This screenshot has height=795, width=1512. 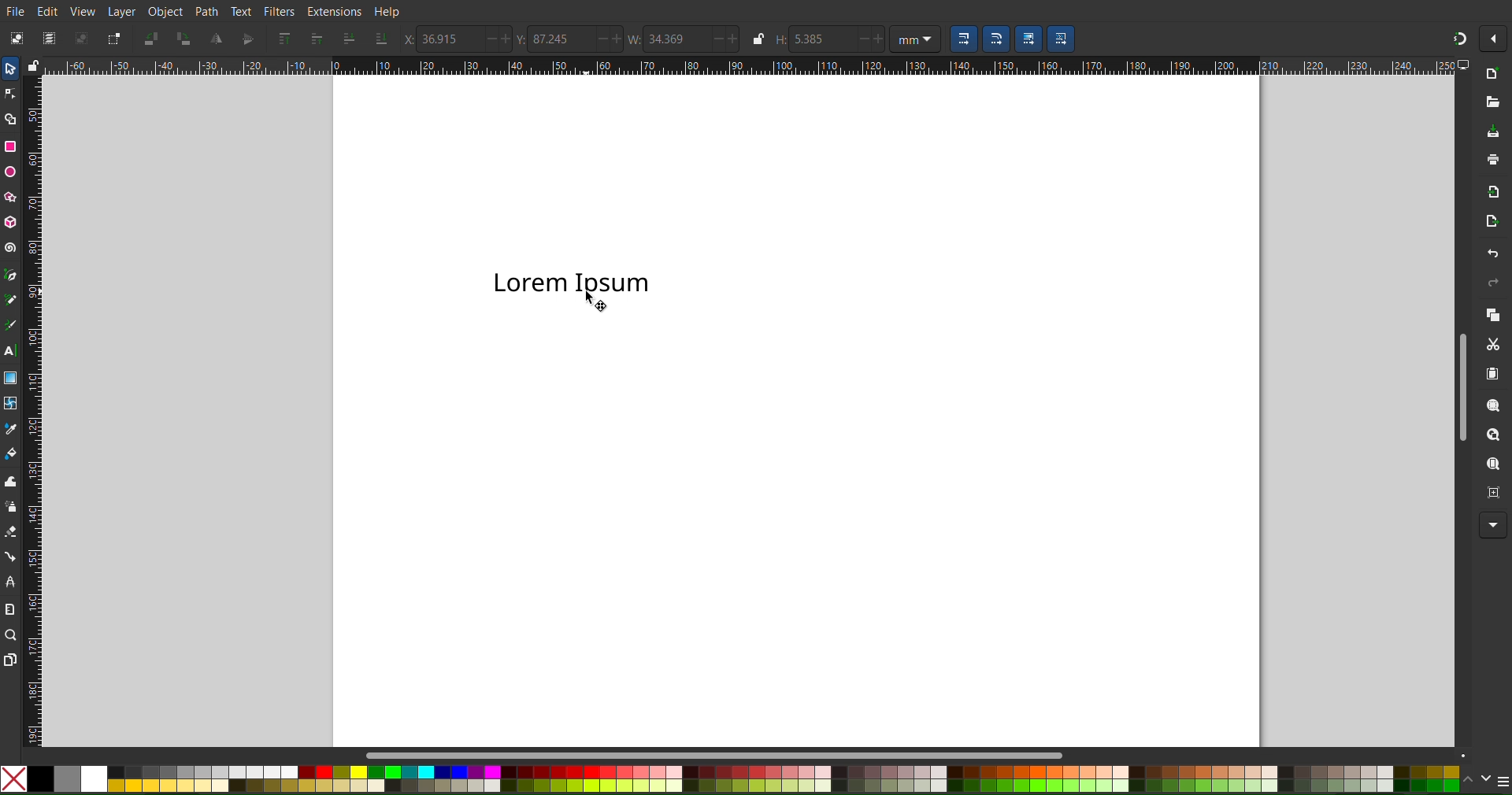 What do you see at coordinates (569, 38) in the screenshot?
I see `Y Coords` at bounding box center [569, 38].